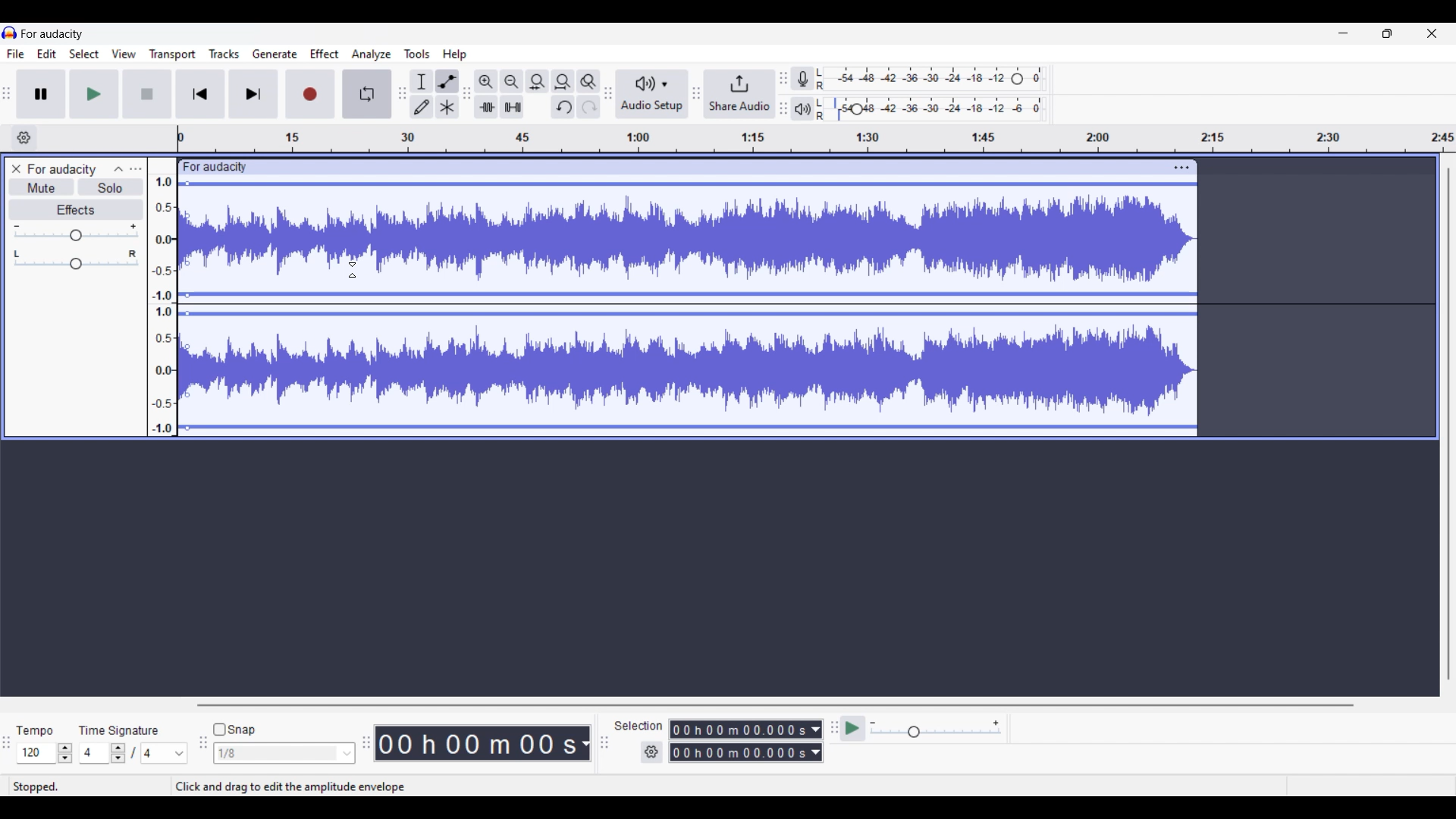 The width and height of the screenshot is (1456, 819). I want to click on Stop, so click(148, 94).